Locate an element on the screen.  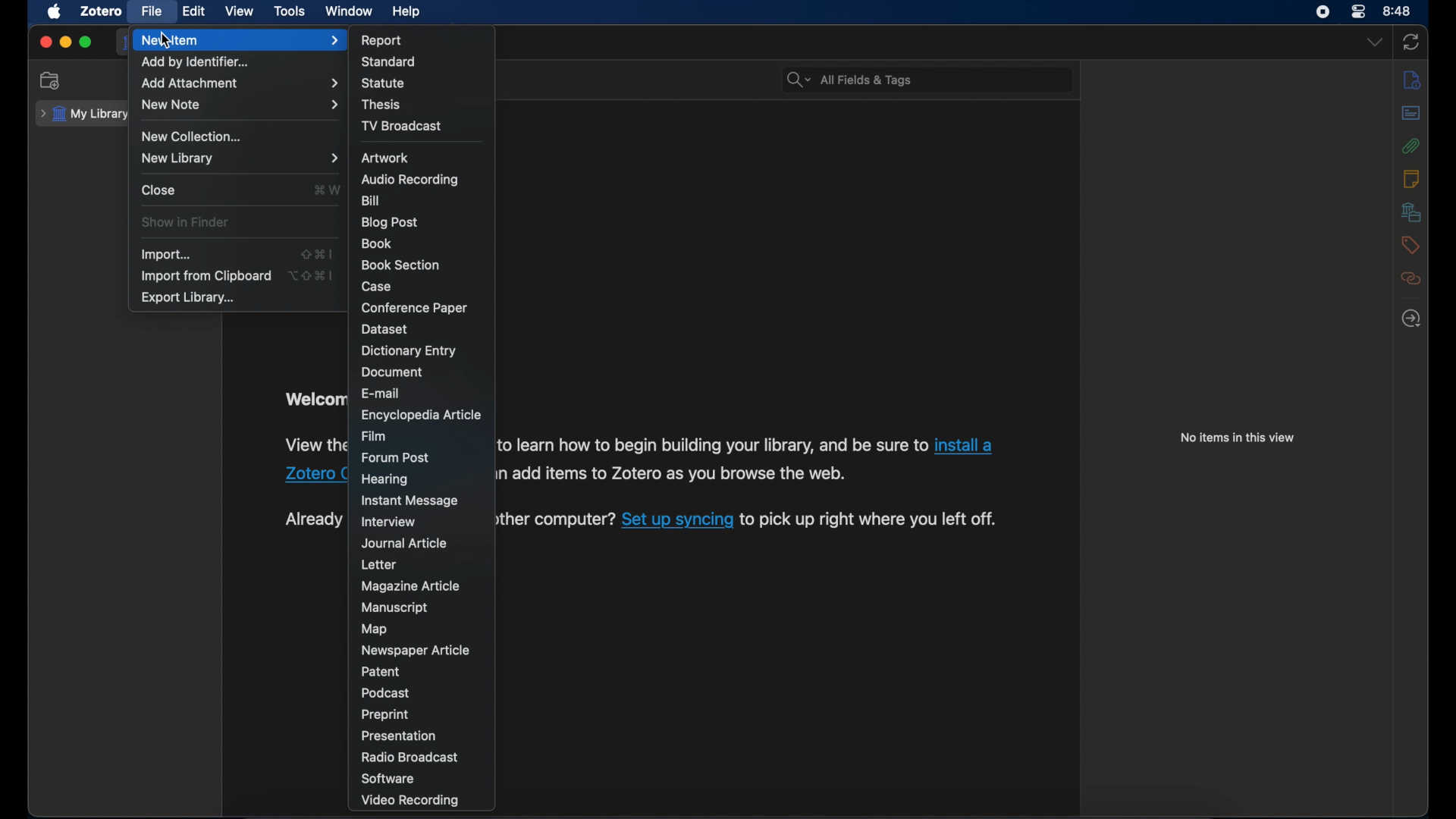
control center is located at coordinates (1359, 12).